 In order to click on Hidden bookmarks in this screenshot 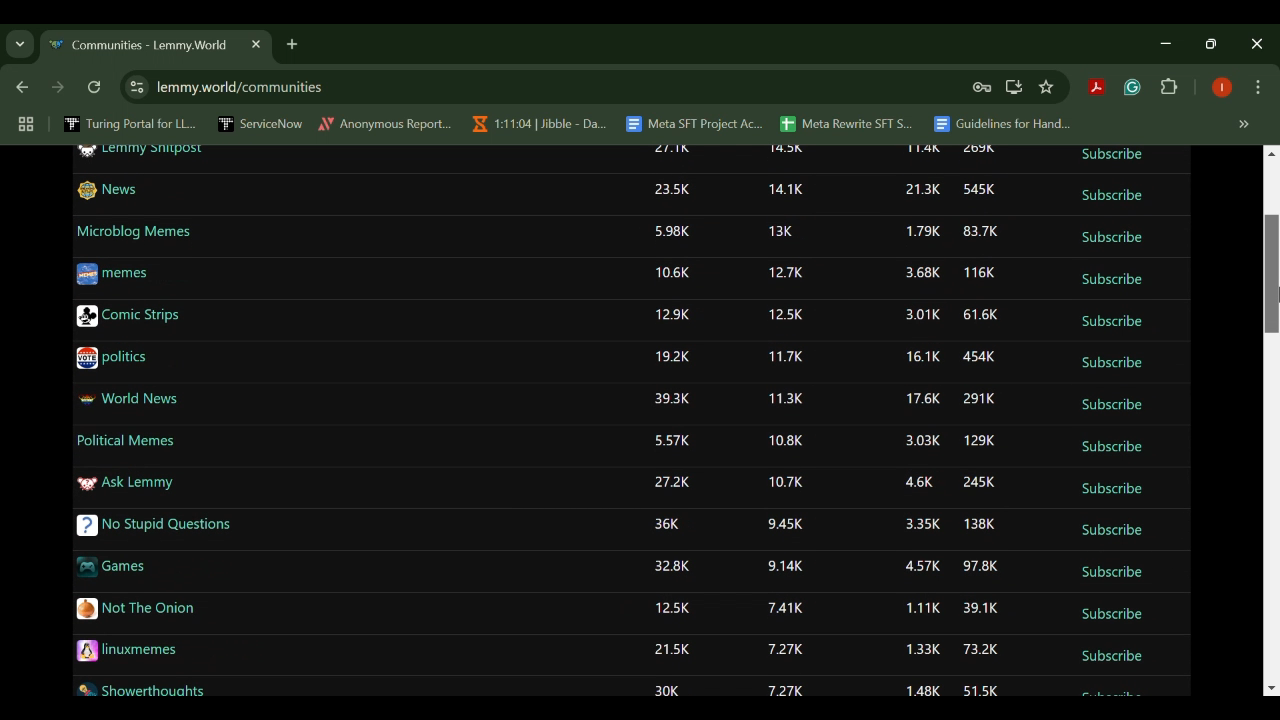, I will do `click(1246, 125)`.